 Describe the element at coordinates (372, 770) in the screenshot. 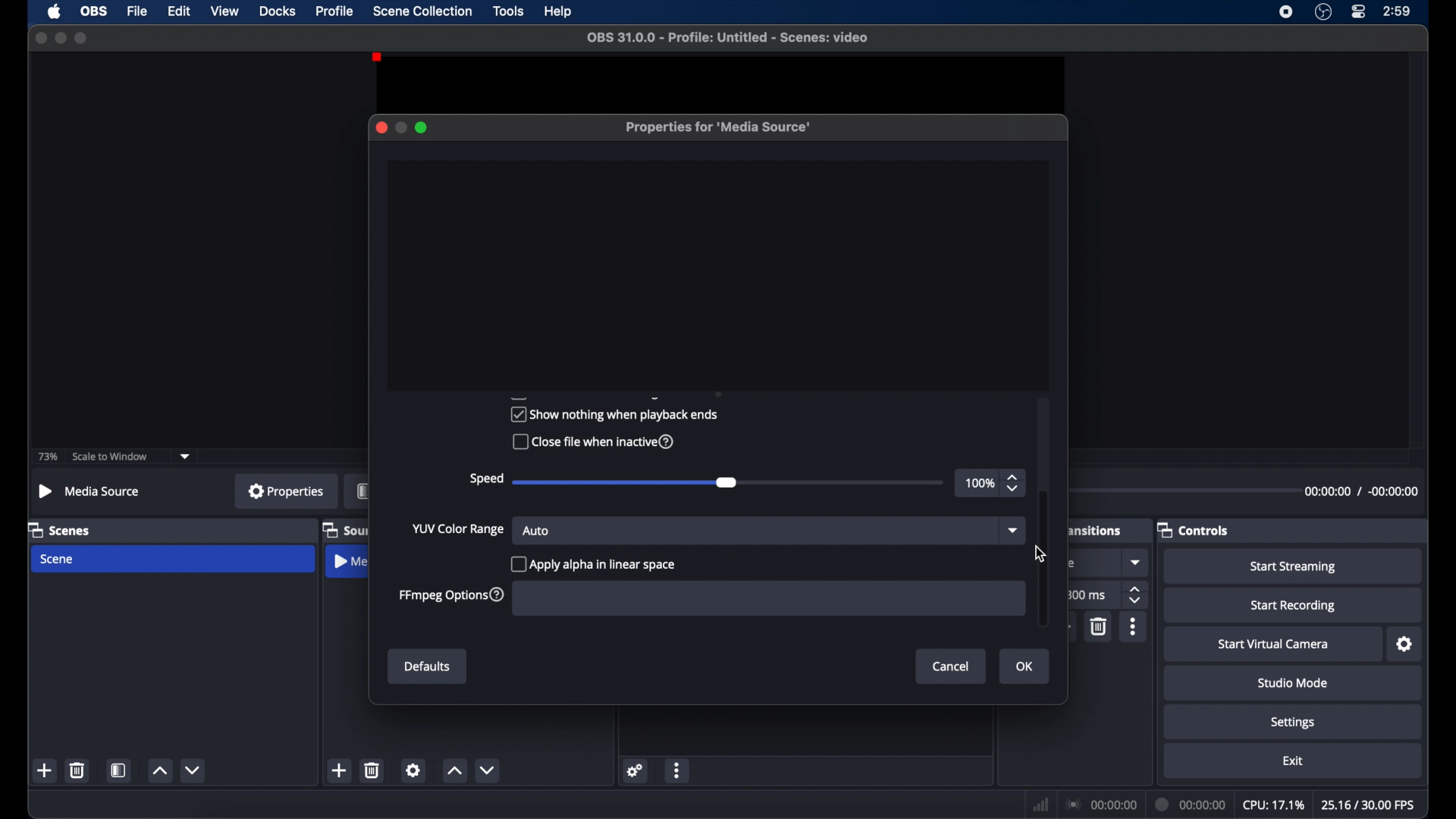

I see `delete` at that location.